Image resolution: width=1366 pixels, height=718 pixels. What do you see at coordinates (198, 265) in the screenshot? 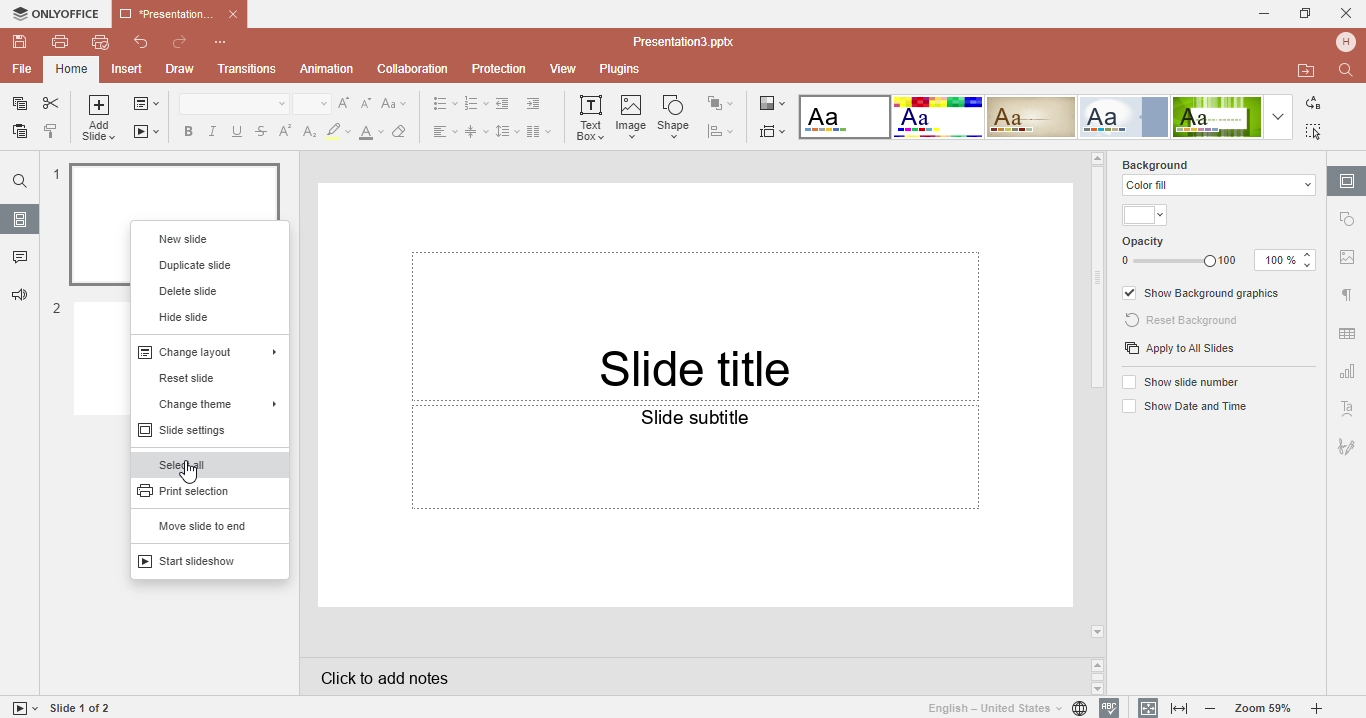
I see `Duplicate slide` at bounding box center [198, 265].